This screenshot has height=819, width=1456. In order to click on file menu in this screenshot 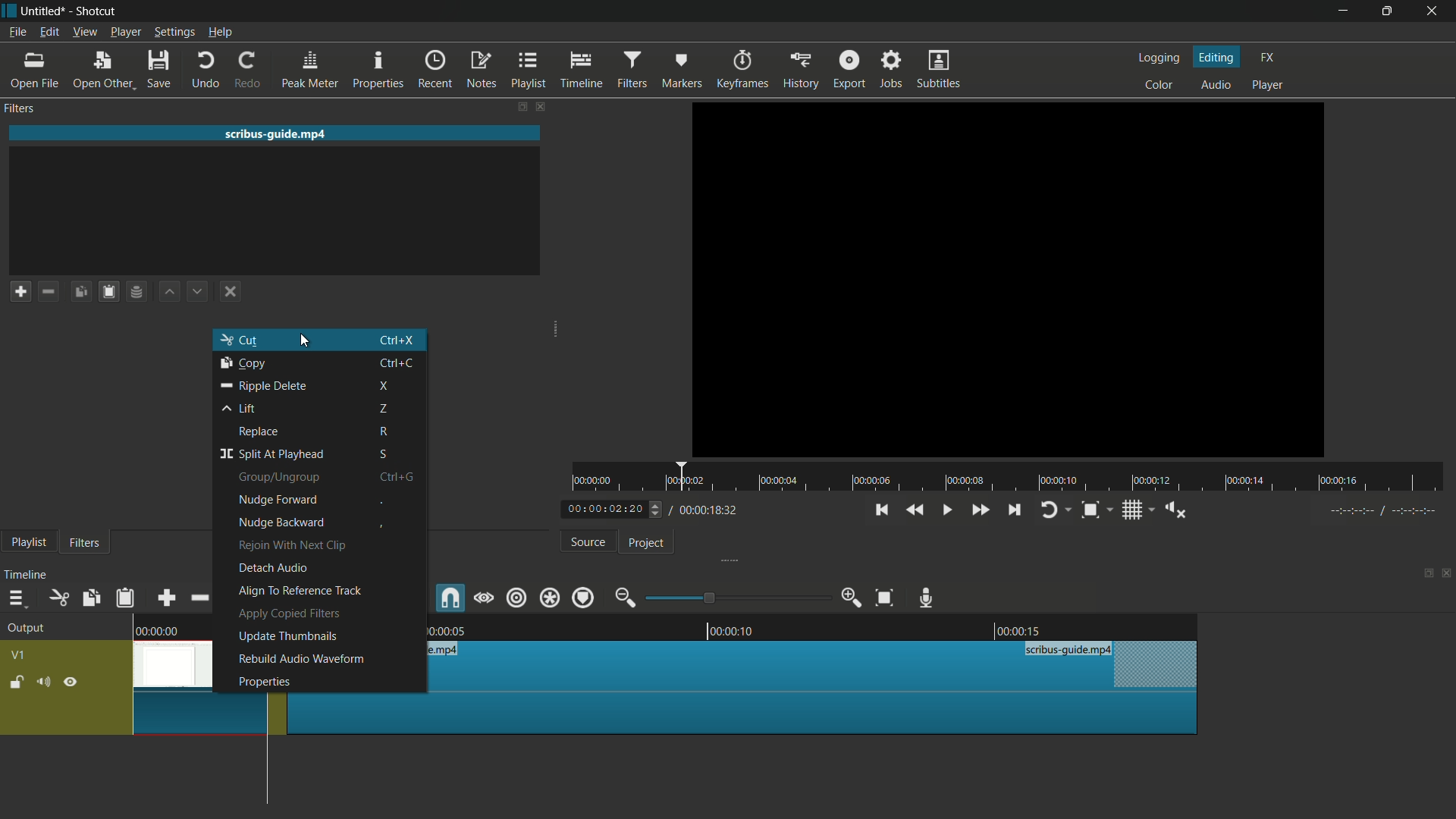, I will do `click(17, 32)`.